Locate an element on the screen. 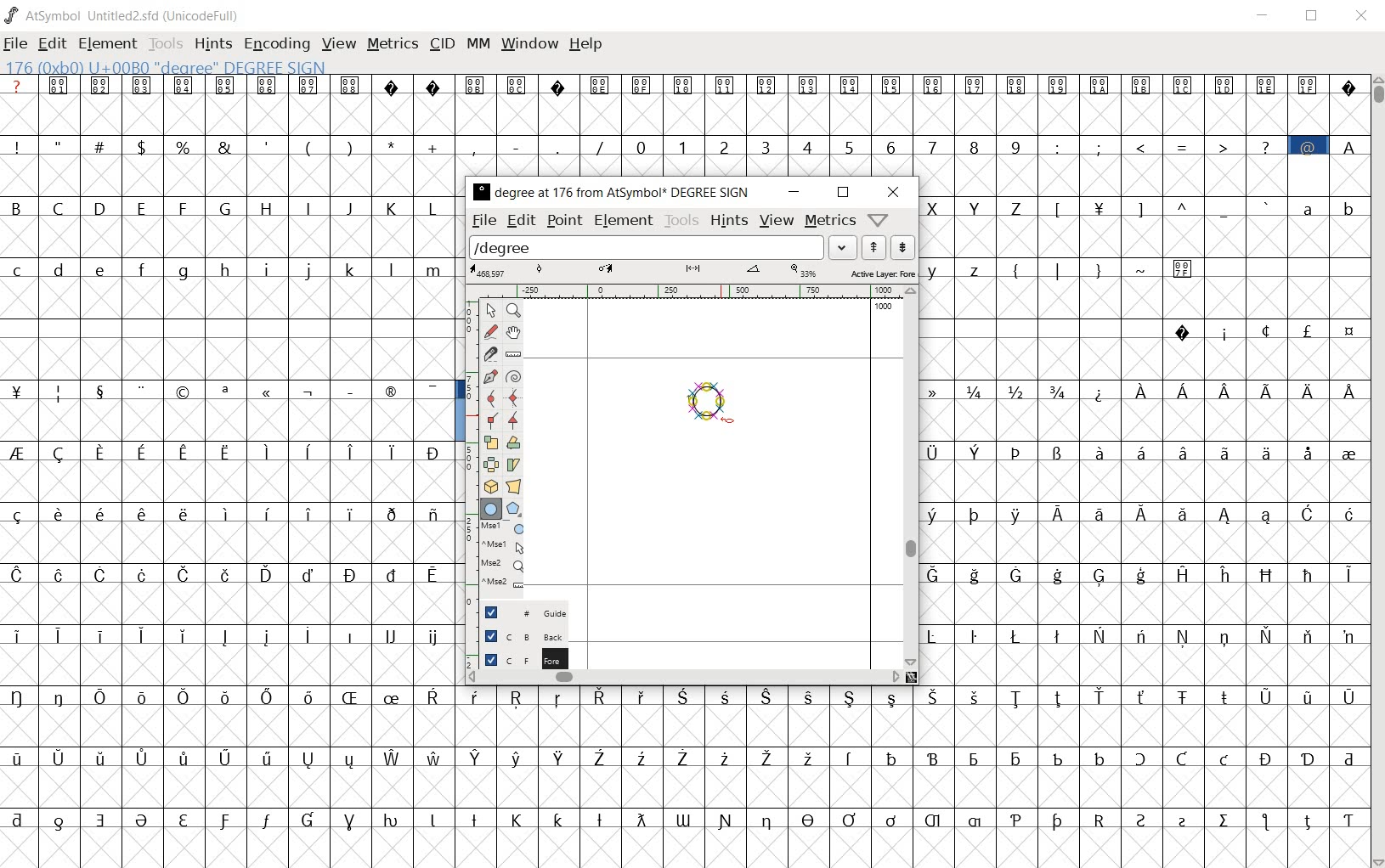 The width and height of the screenshot is (1385, 868).  is located at coordinates (1141, 664).